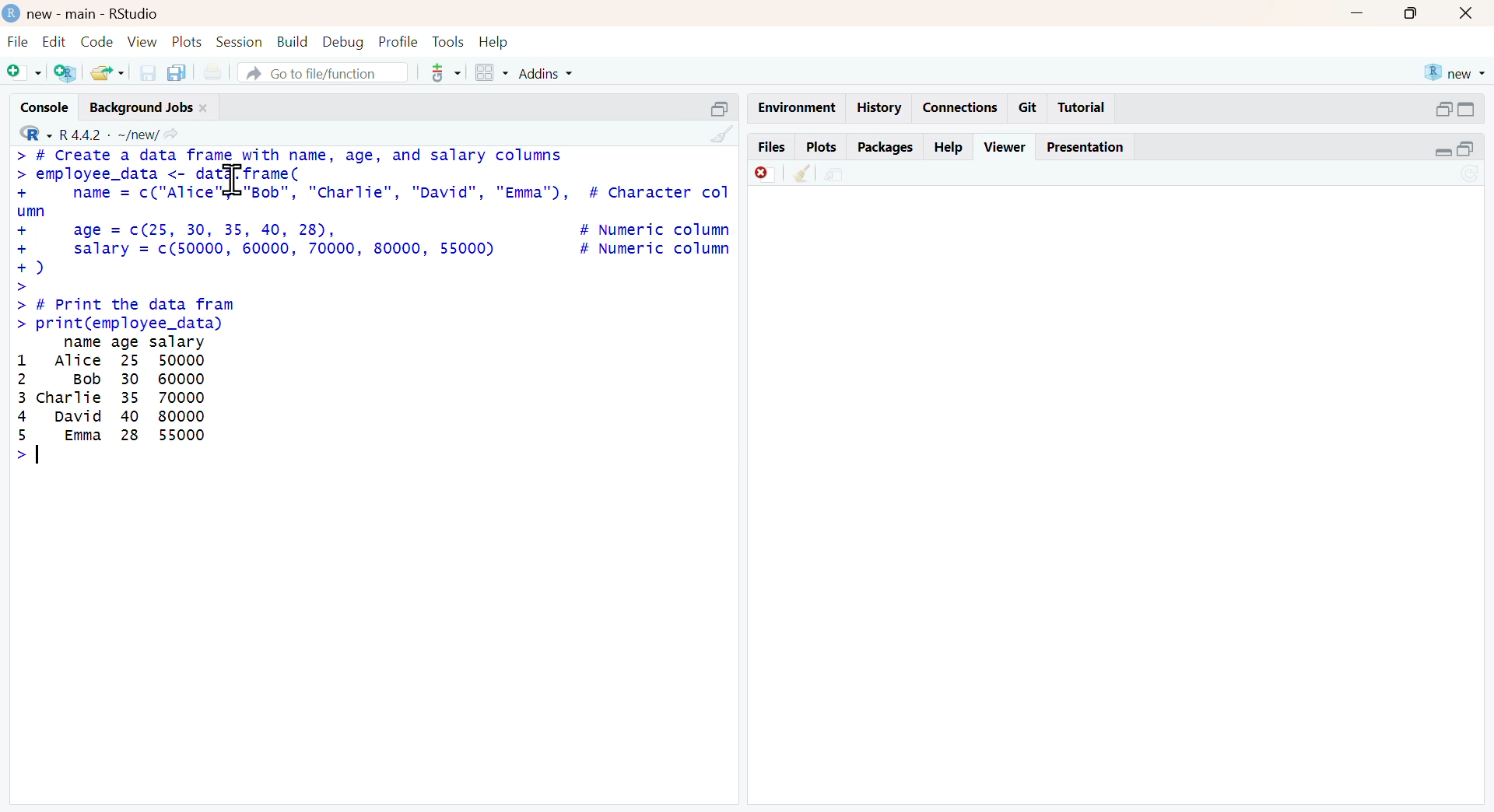 Image resolution: width=1494 pixels, height=812 pixels. What do you see at coordinates (886, 145) in the screenshot?
I see `Packages` at bounding box center [886, 145].